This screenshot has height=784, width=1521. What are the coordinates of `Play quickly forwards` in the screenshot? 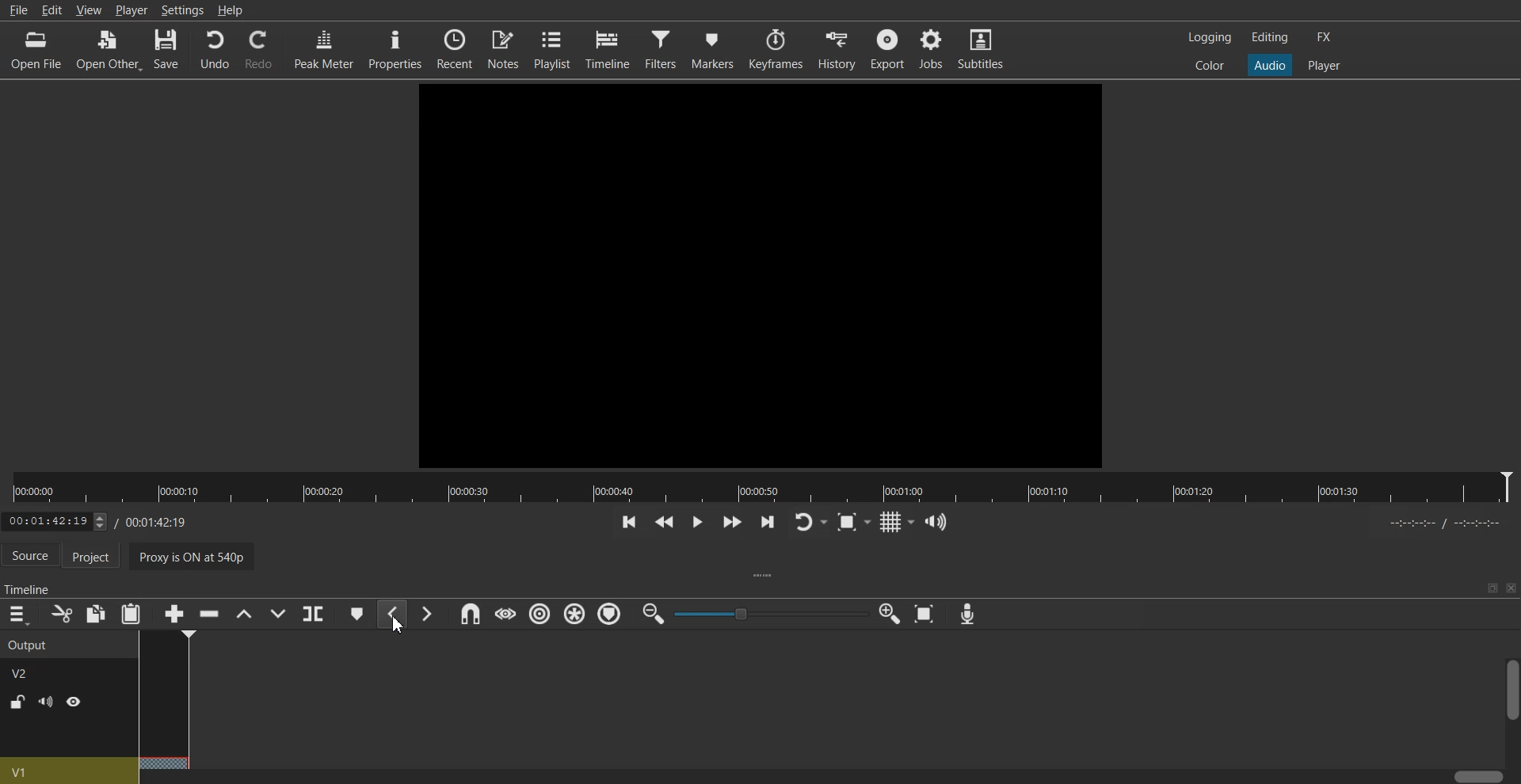 It's located at (730, 522).